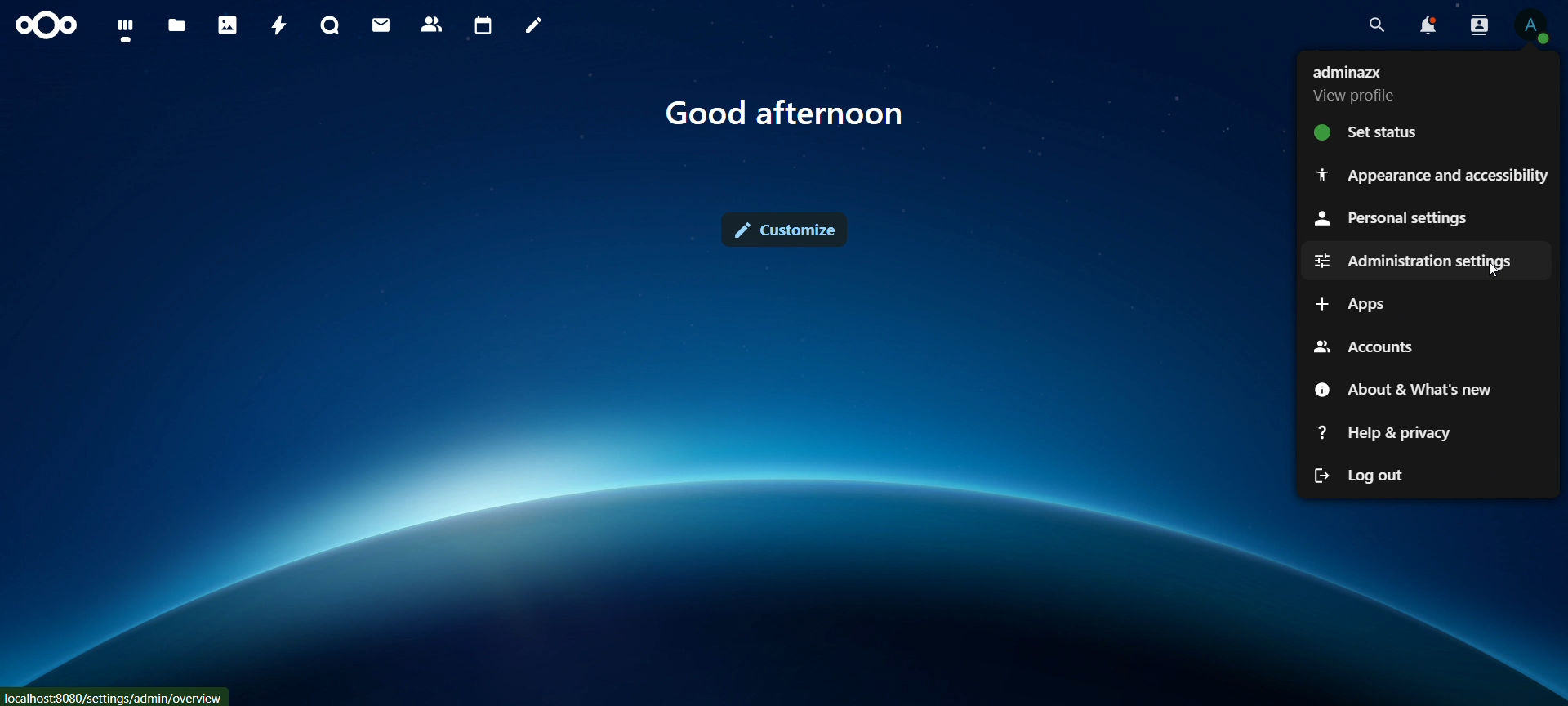  I want to click on contacts, so click(432, 26).